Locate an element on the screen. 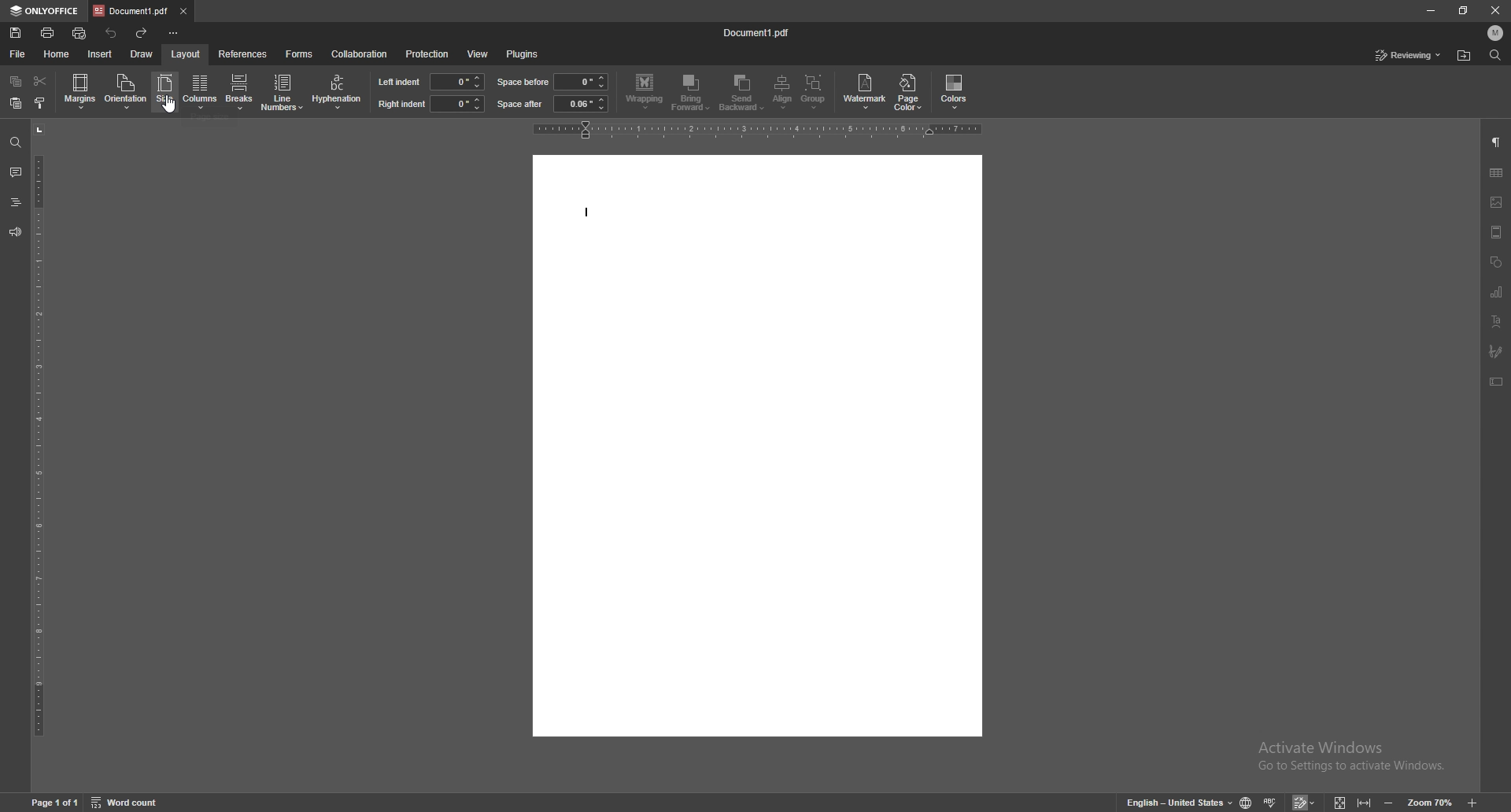 The image size is (1511, 812). text art is located at coordinates (1498, 321).